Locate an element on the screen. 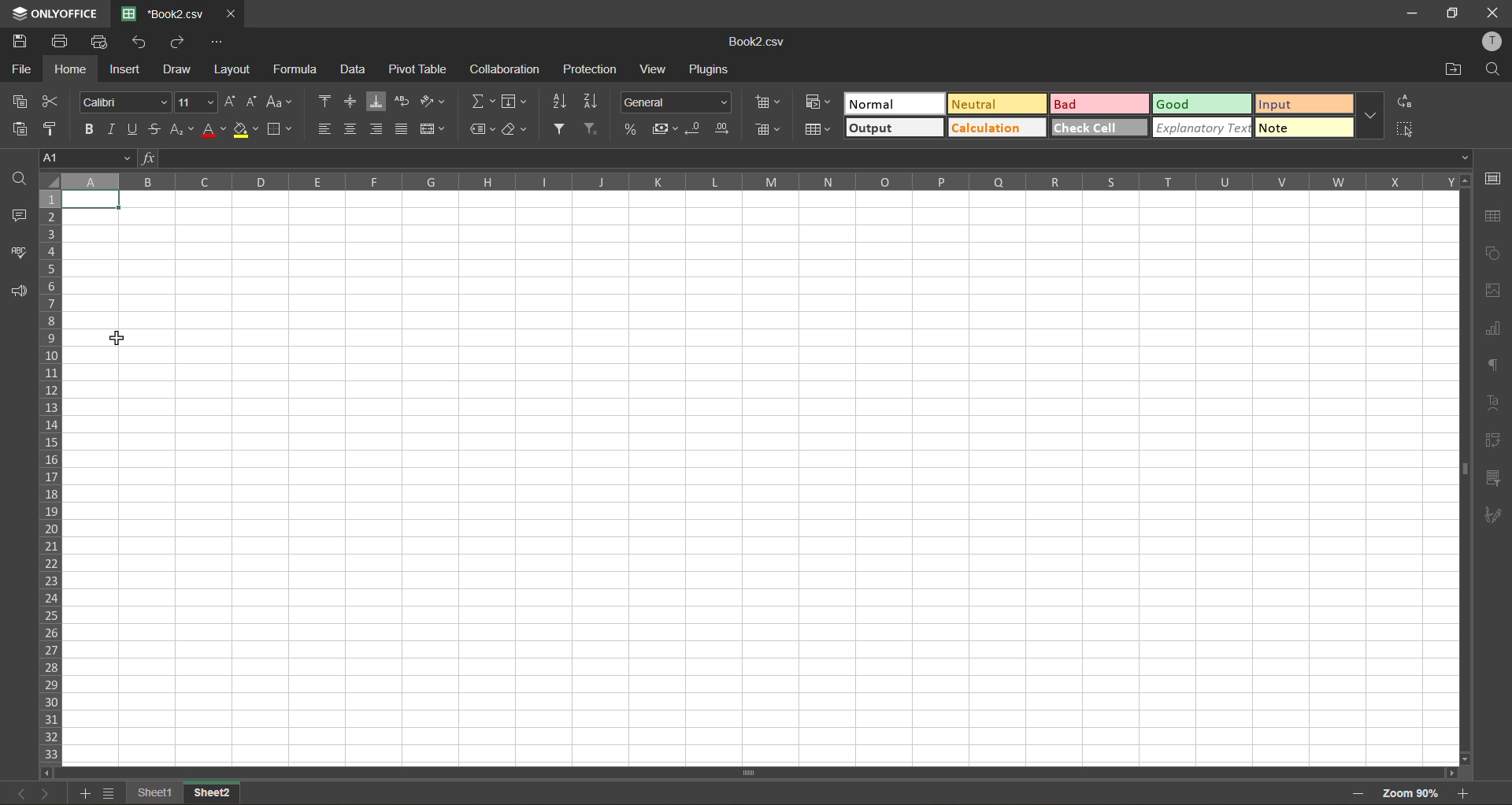 The height and width of the screenshot is (805, 1512). print preview is located at coordinates (102, 42).